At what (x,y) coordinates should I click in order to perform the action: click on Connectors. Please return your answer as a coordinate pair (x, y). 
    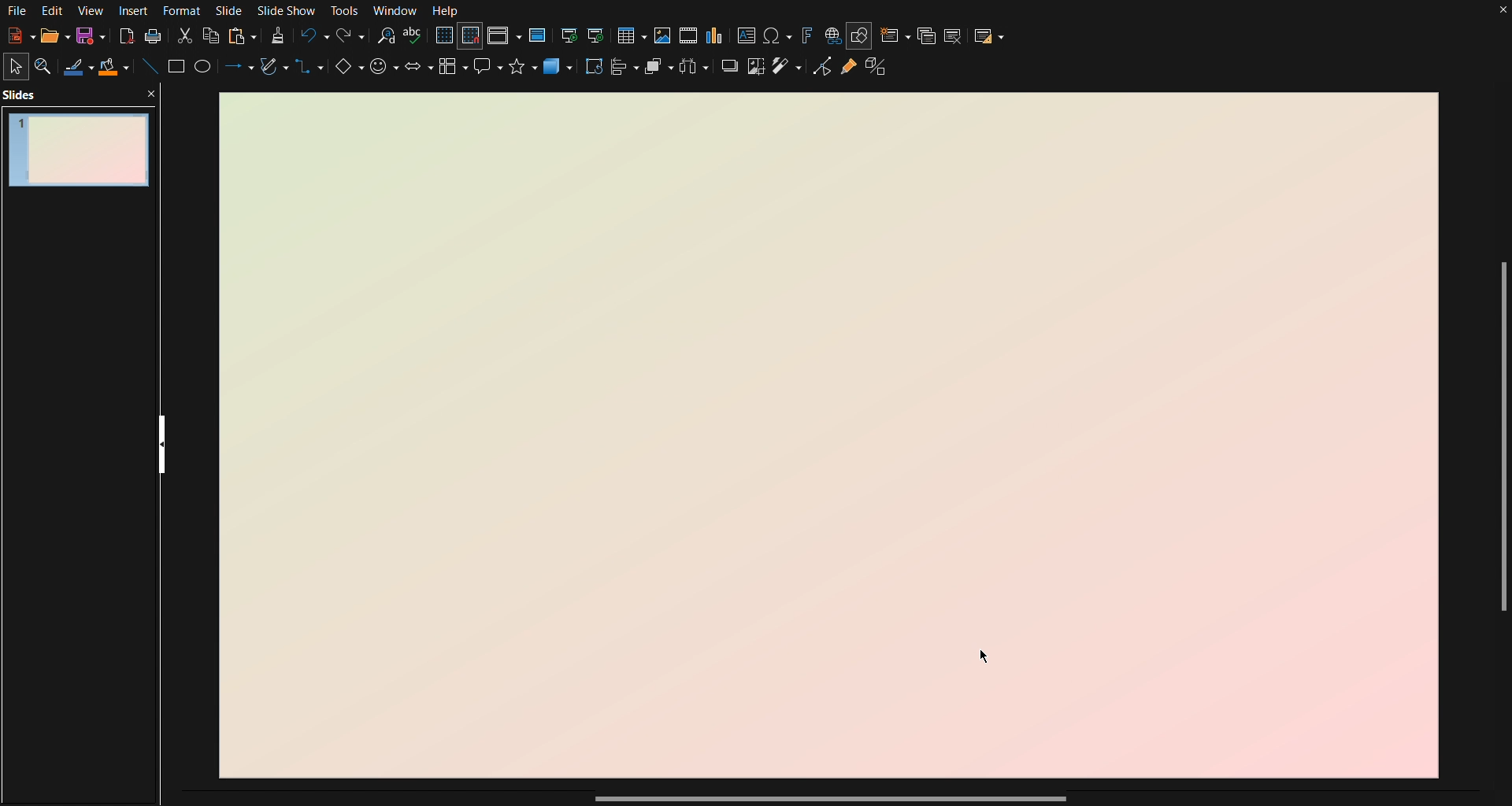
    Looking at the image, I should click on (310, 73).